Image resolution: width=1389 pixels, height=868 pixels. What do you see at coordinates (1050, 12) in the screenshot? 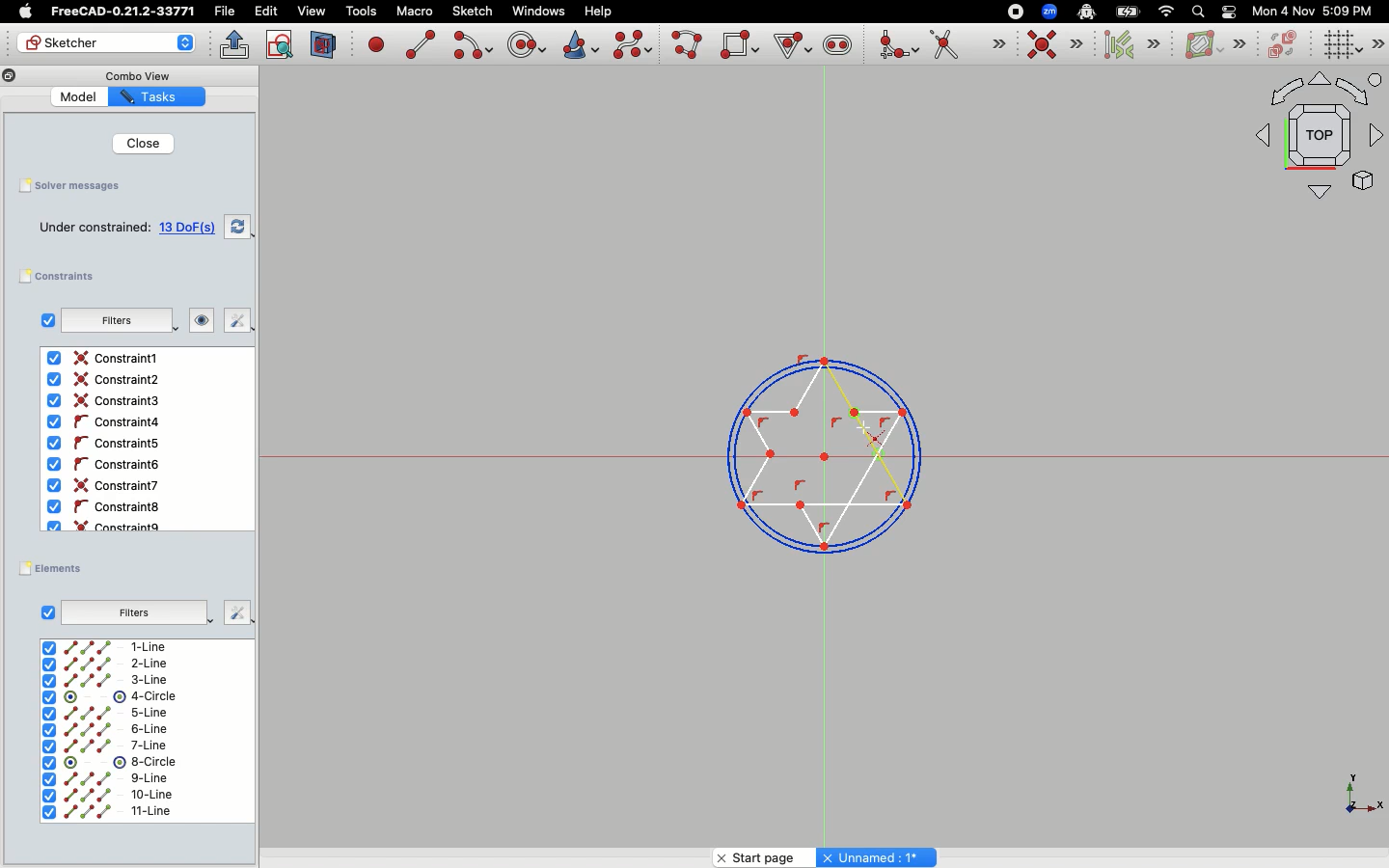
I see `Zoom` at bounding box center [1050, 12].